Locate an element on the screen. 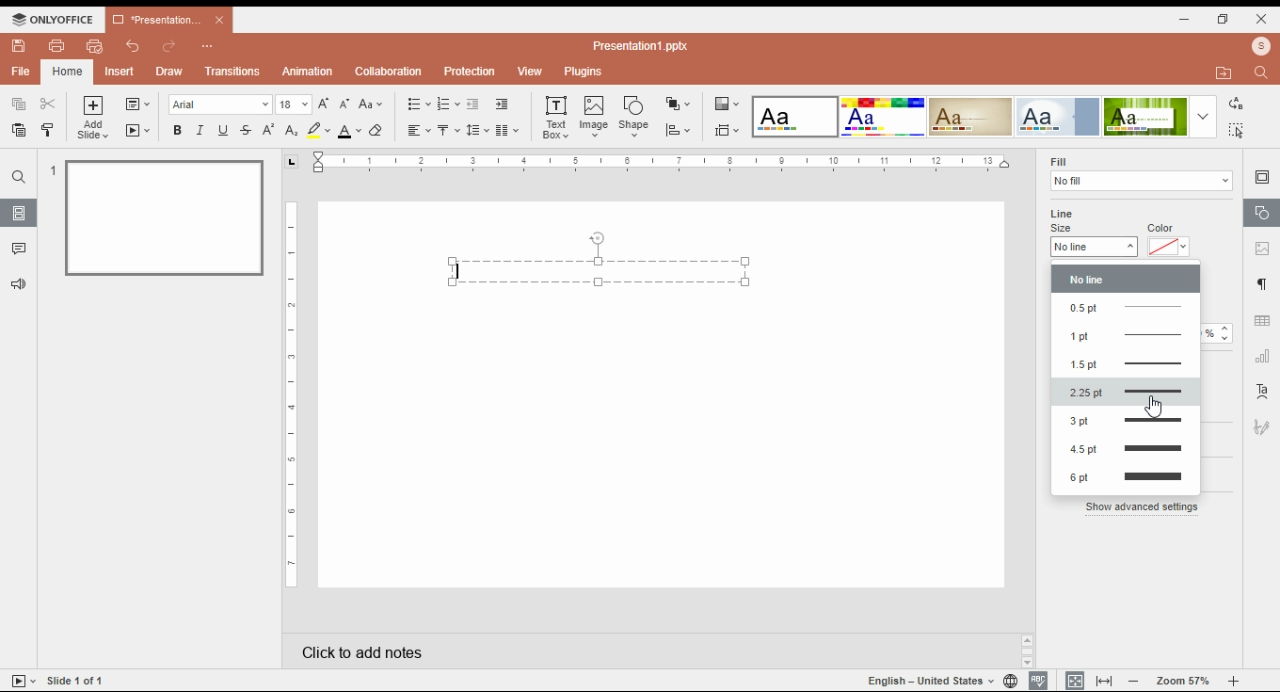 Image resolution: width=1280 pixels, height=692 pixels. redo is located at coordinates (168, 48).